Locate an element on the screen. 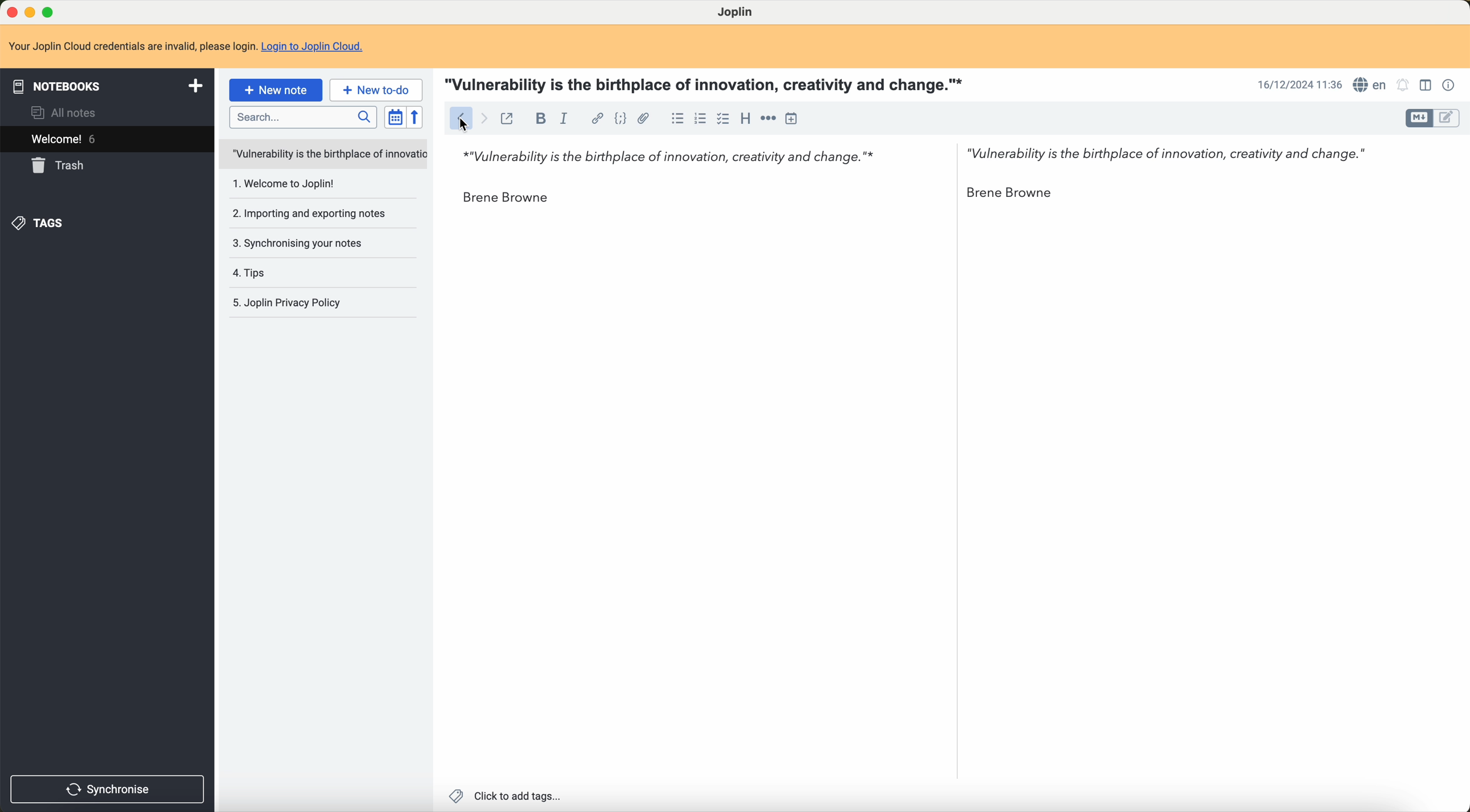 Image resolution: width=1470 pixels, height=812 pixels. insert time is located at coordinates (792, 119).